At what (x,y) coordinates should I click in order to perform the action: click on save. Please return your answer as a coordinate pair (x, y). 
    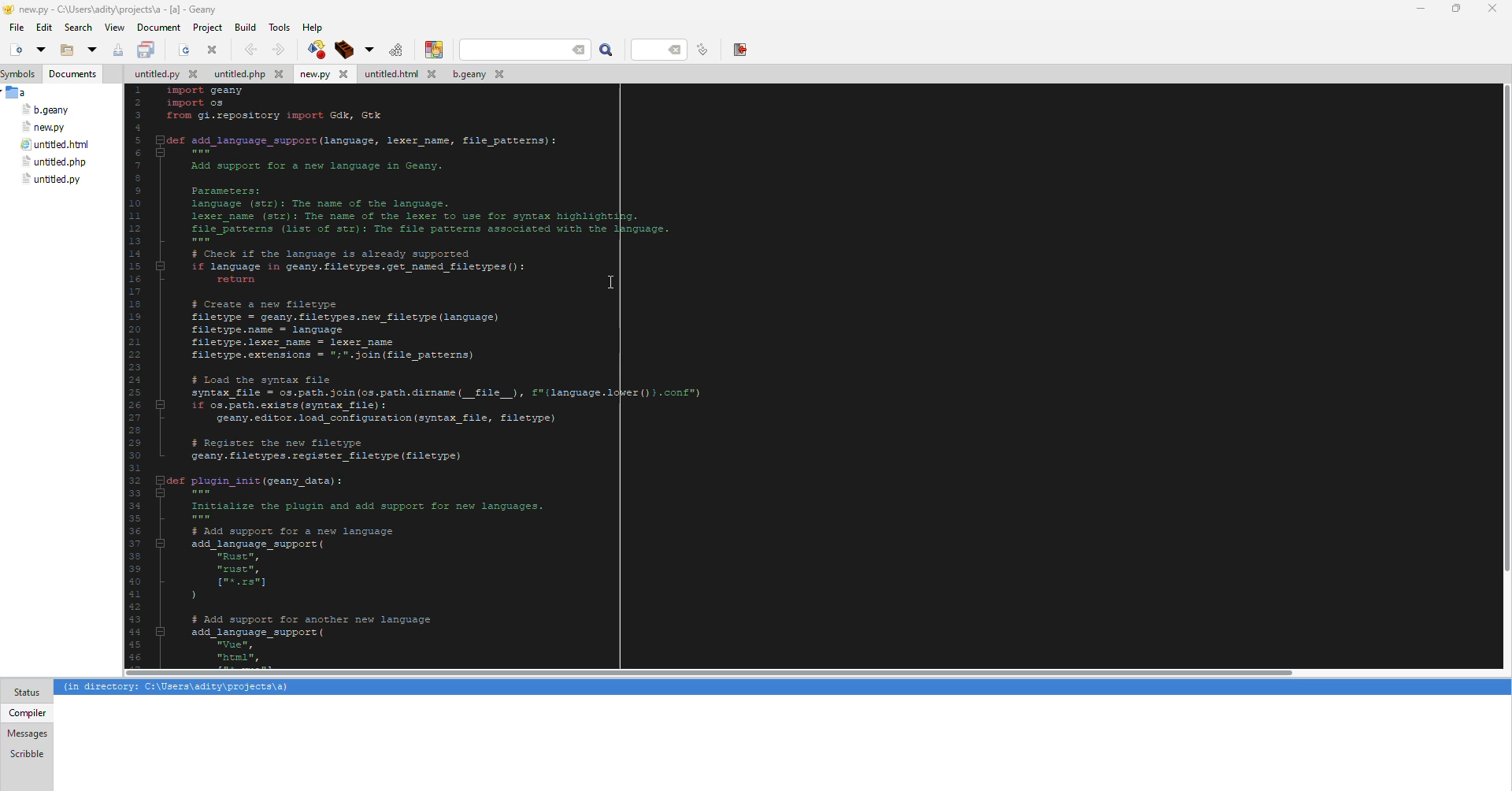
    Looking at the image, I should click on (118, 50).